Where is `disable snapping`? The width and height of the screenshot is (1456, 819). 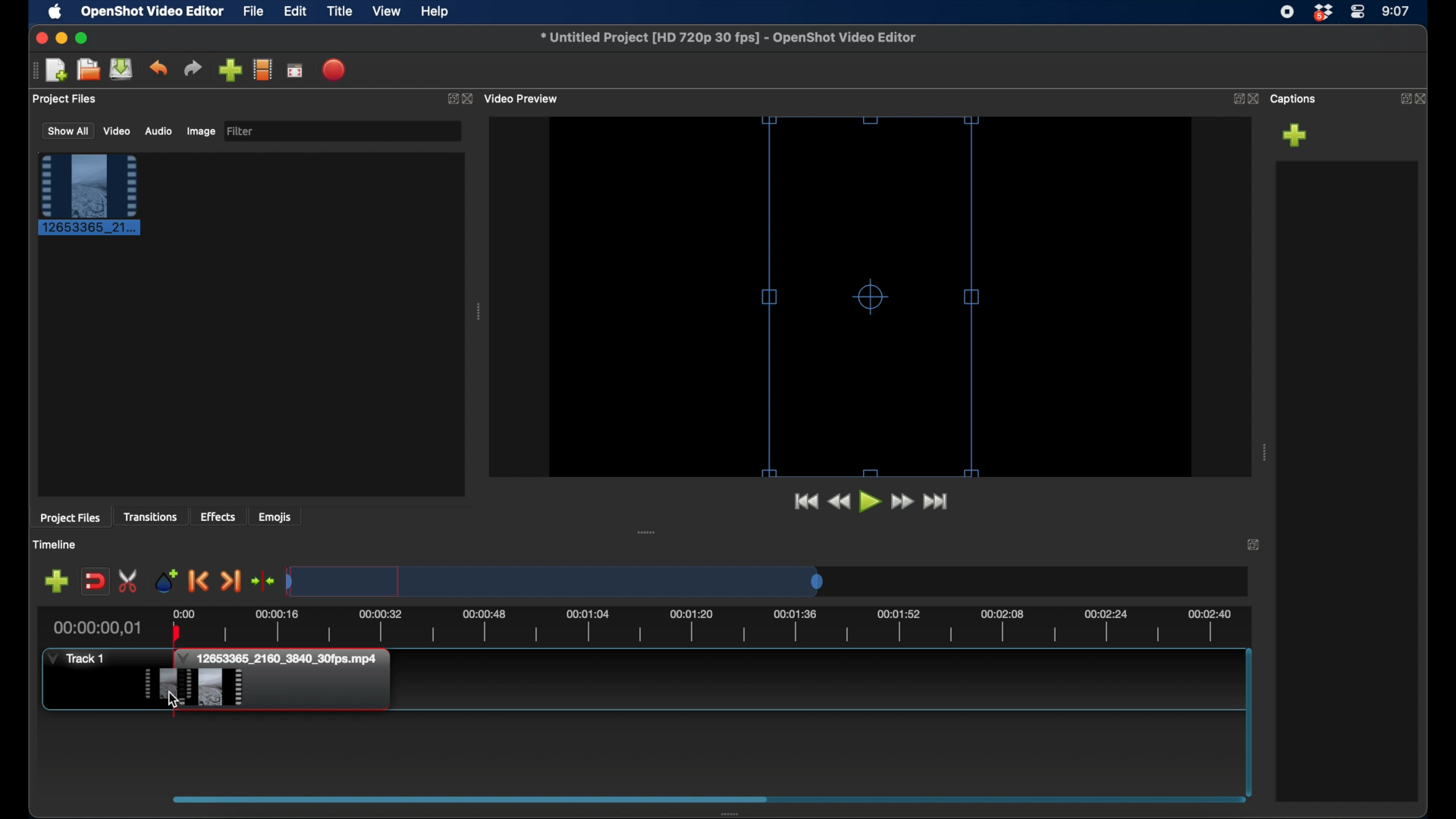 disable snapping is located at coordinates (94, 582).